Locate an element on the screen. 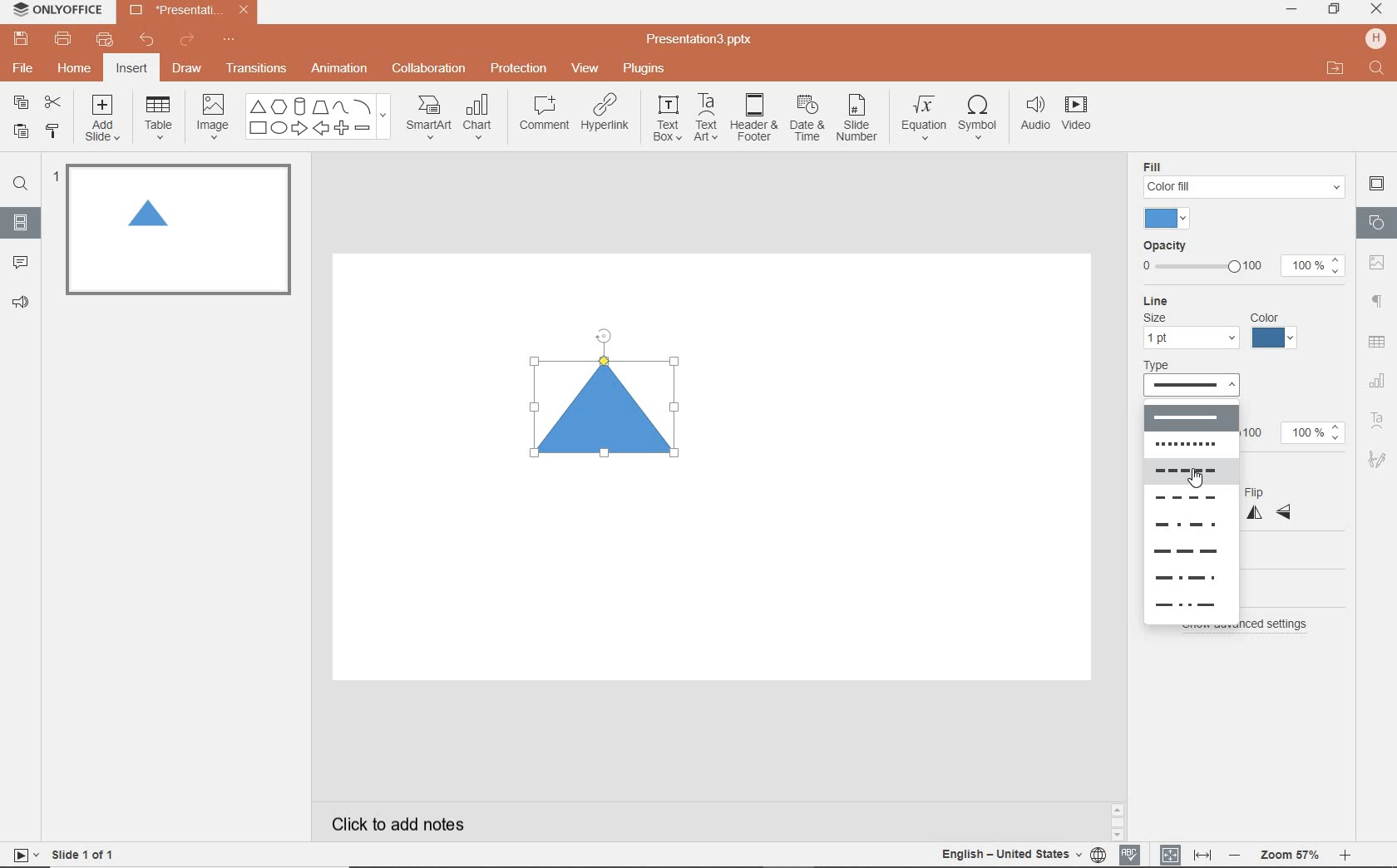 This screenshot has width=1397, height=868. FIT TO WIDTH is located at coordinates (1202, 856).